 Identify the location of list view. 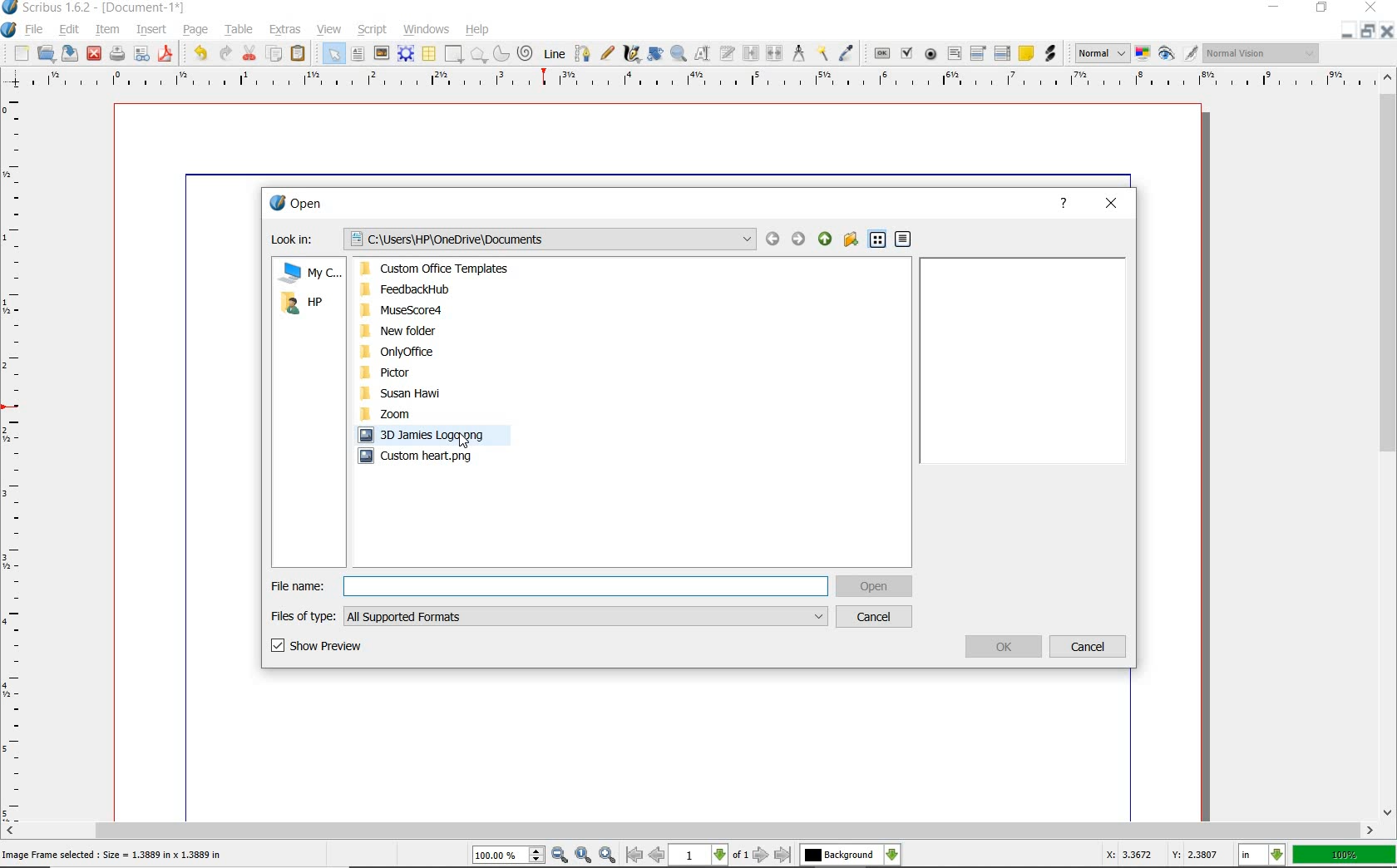
(877, 240).